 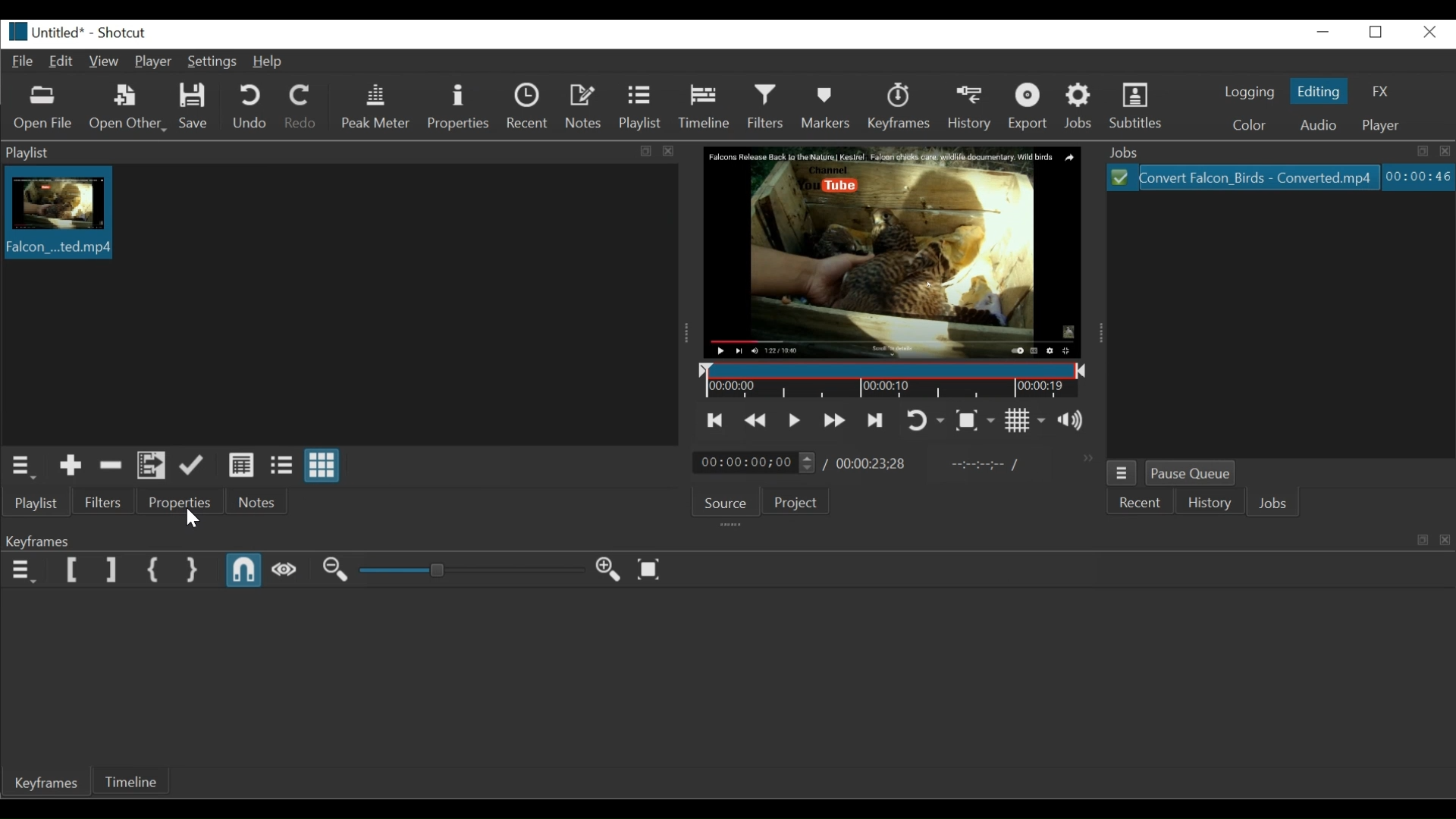 I want to click on Filter, so click(x=767, y=108).